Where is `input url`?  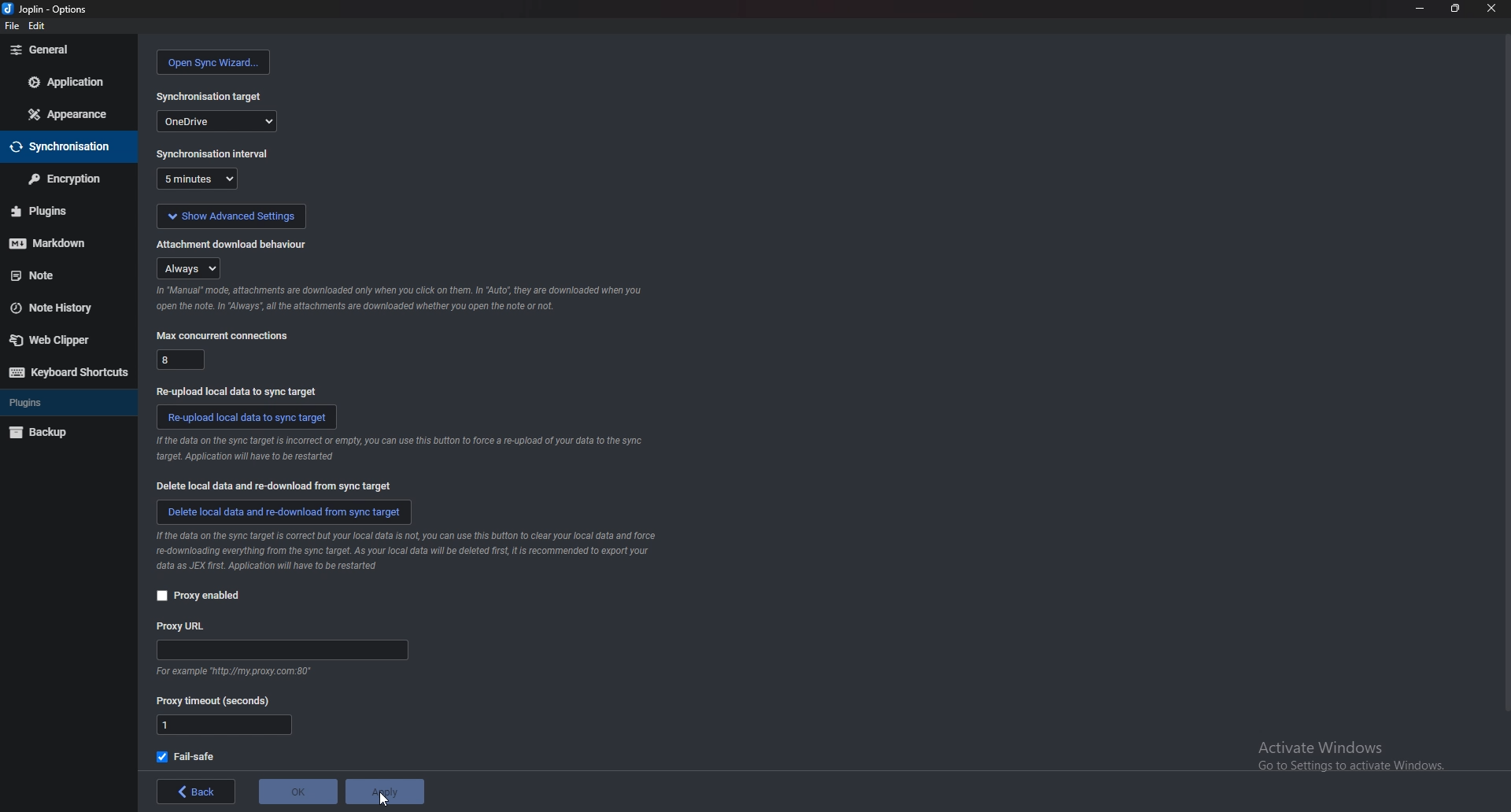 input url is located at coordinates (280, 650).